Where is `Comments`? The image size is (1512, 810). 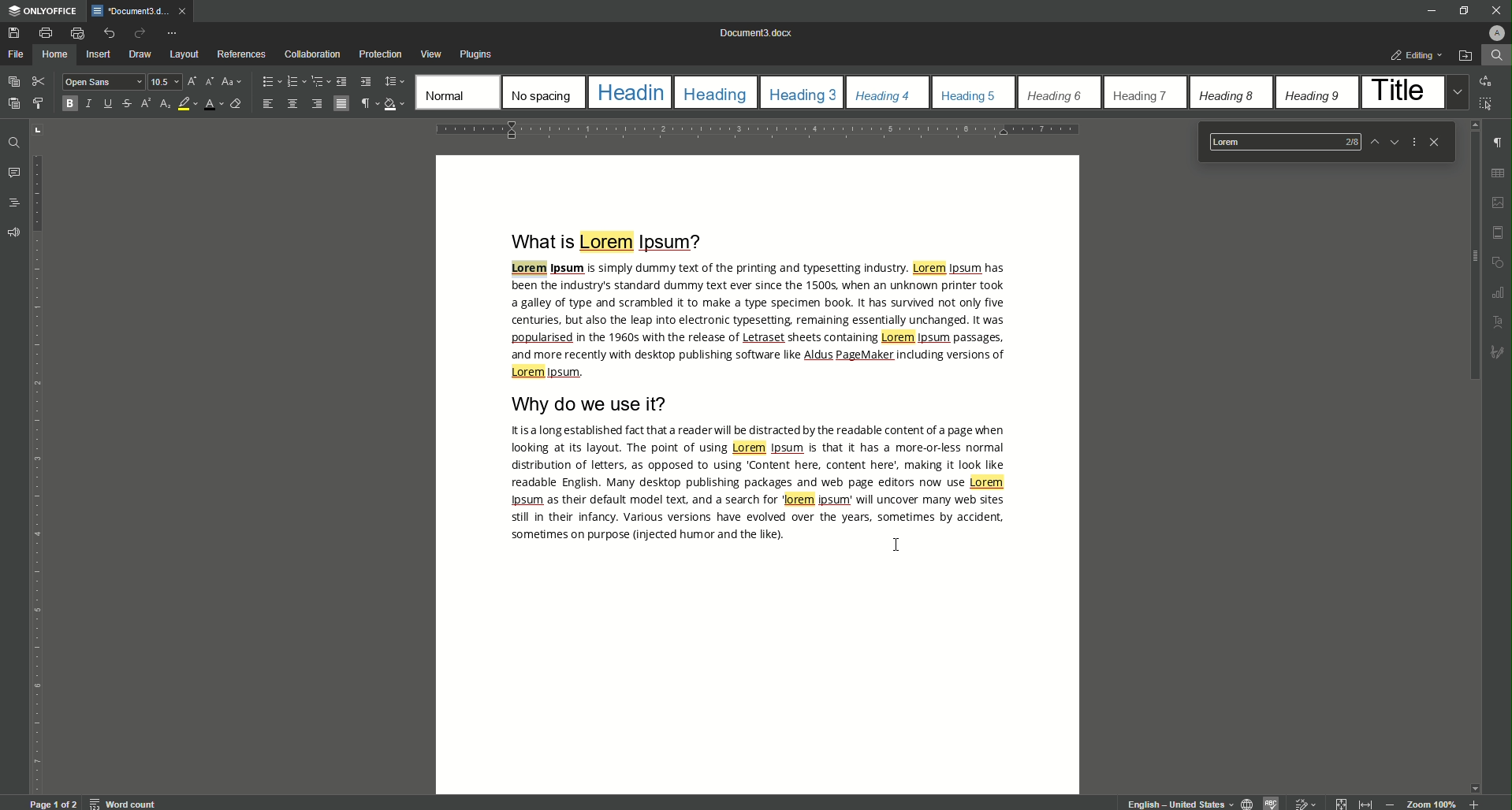
Comments is located at coordinates (17, 172).